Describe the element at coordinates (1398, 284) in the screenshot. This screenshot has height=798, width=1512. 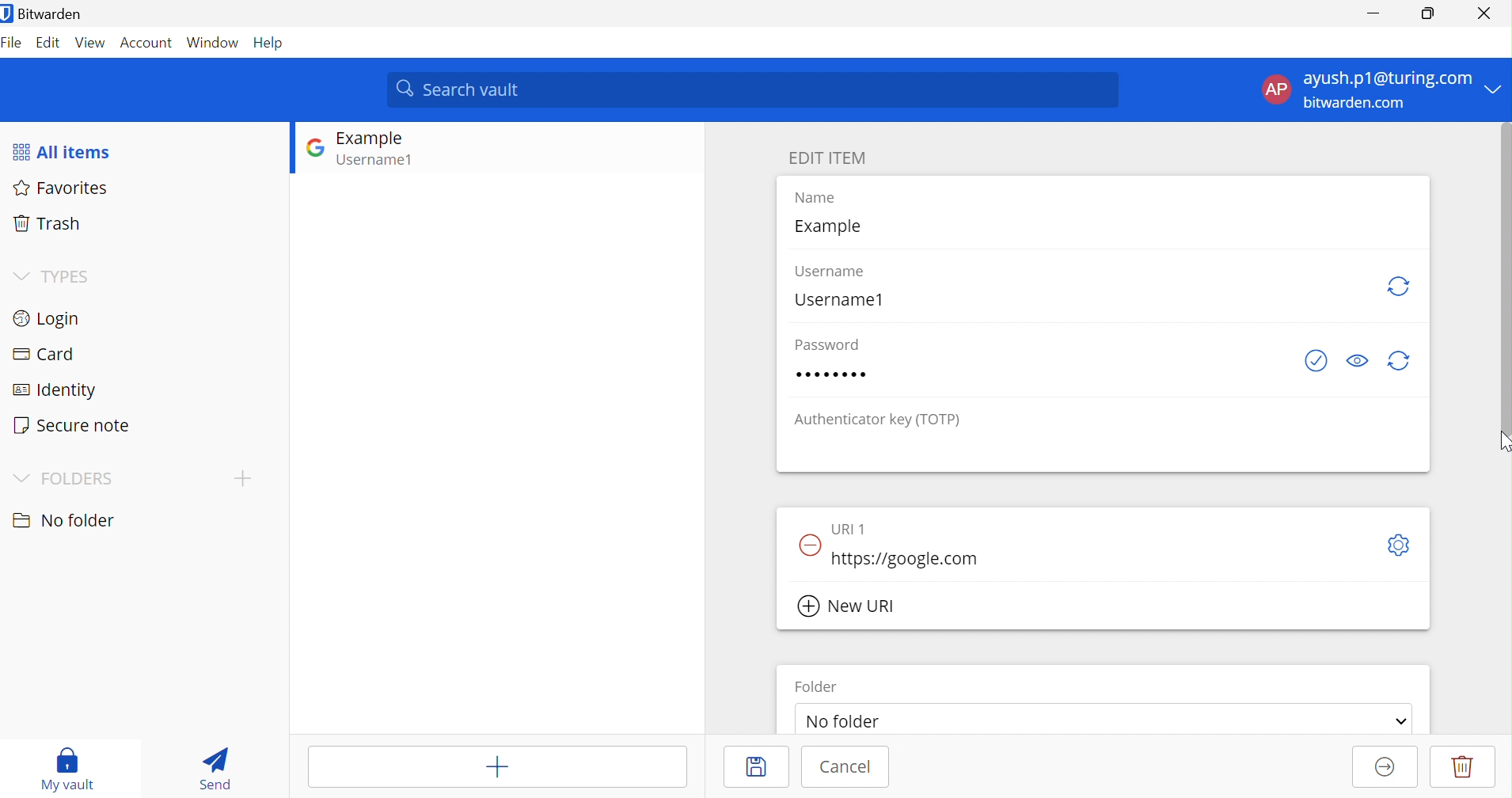
I see `Regenerate Username` at that location.